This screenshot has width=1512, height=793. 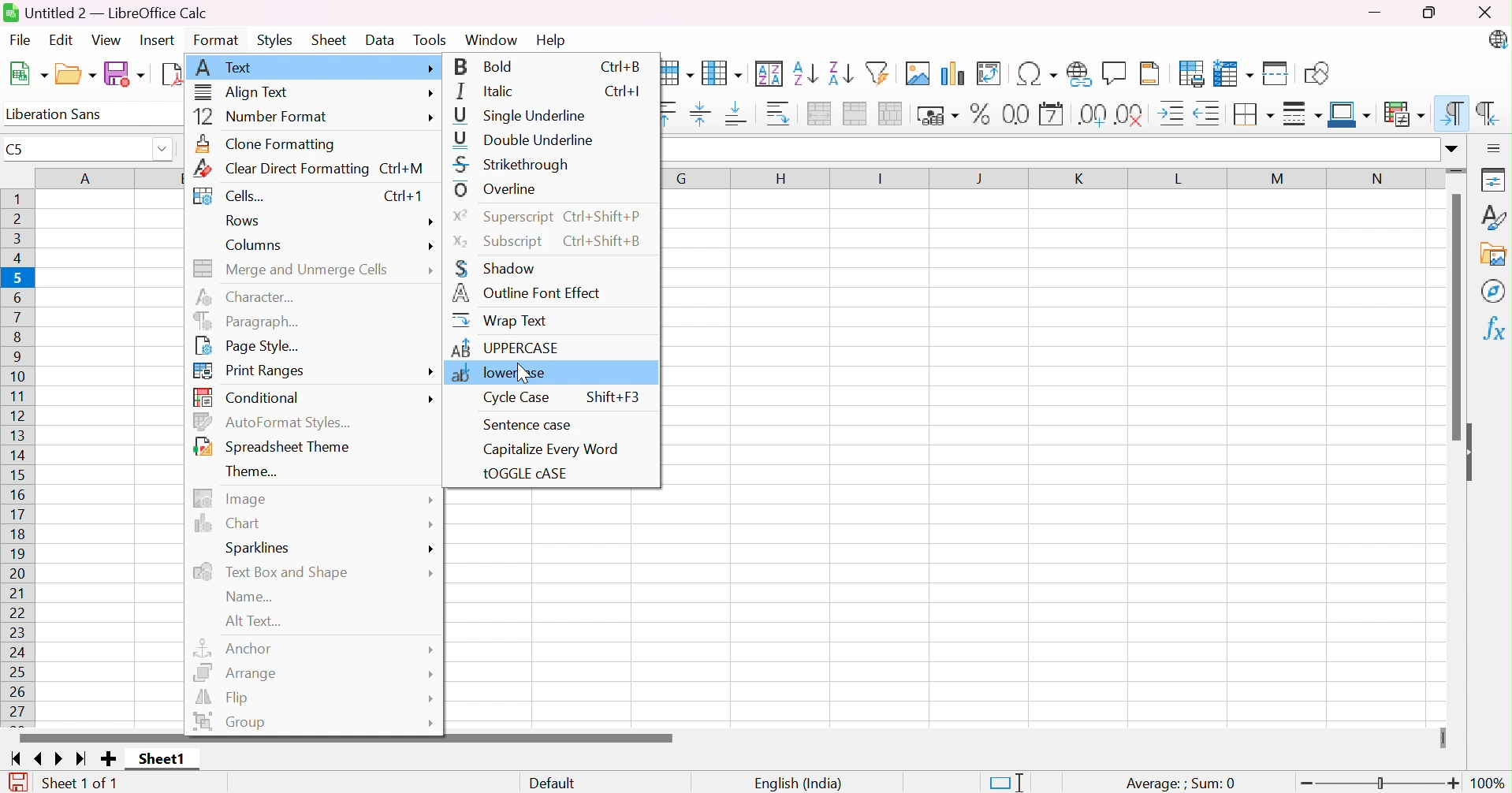 What do you see at coordinates (1278, 72) in the screenshot?
I see `Split Window` at bounding box center [1278, 72].